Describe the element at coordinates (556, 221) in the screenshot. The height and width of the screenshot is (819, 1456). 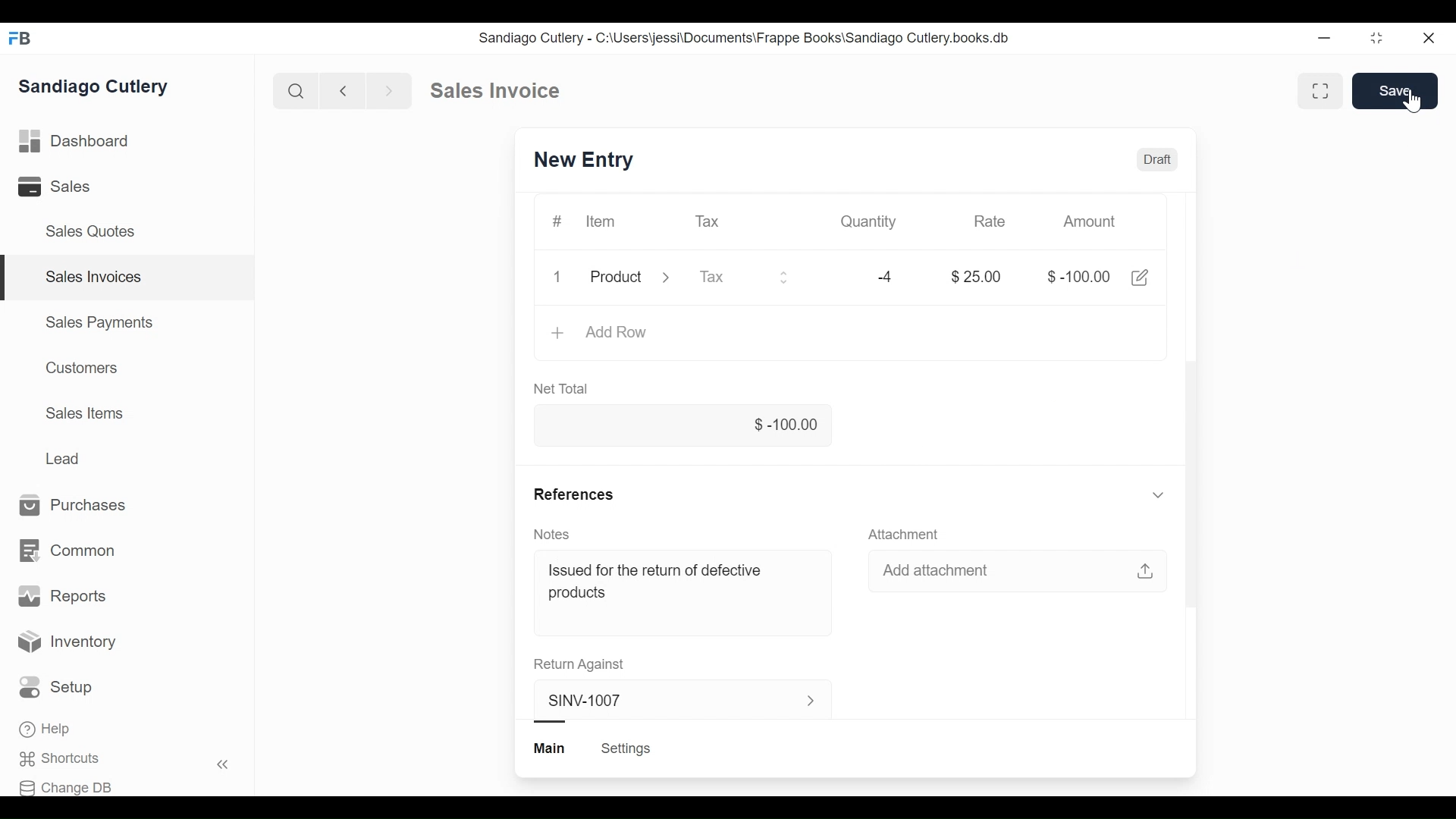
I see `#` at that location.